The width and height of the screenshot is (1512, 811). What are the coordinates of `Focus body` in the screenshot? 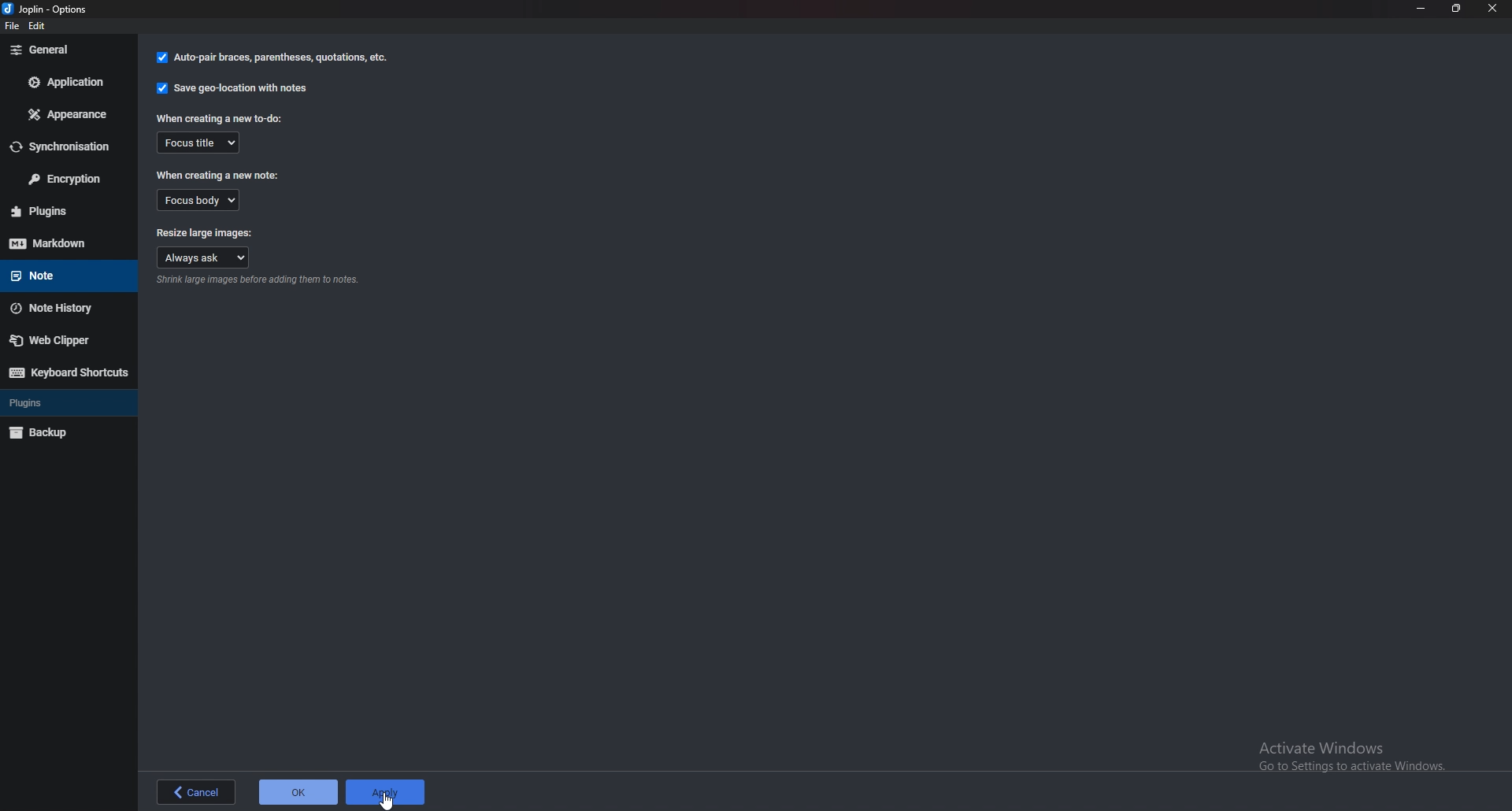 It's located at (202, 201).